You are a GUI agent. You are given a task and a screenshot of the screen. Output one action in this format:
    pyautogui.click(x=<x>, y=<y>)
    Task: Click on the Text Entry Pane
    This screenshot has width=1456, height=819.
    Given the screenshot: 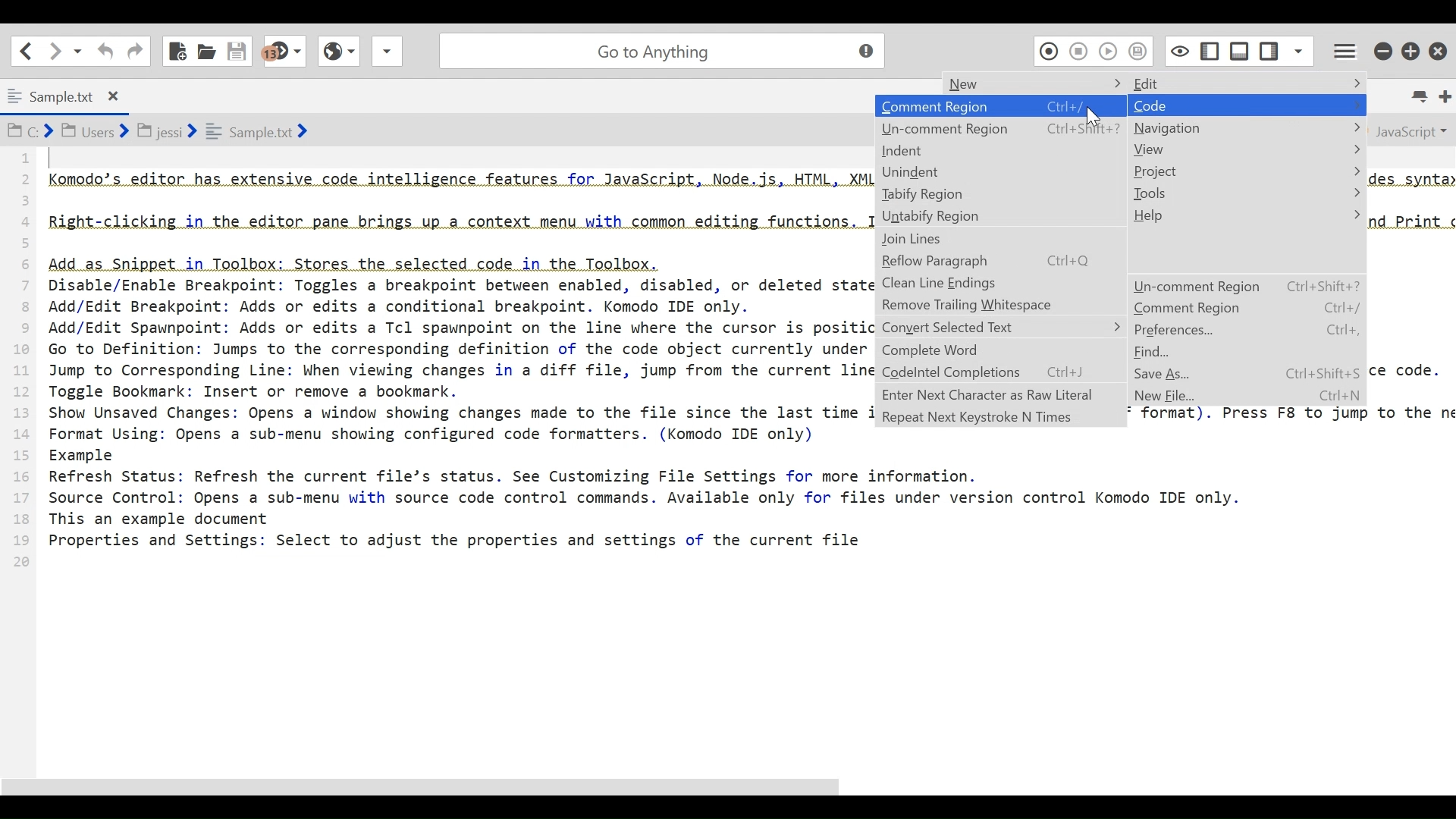 What is the action you would take?
    pyautogui.click(x=438, y=453)
    